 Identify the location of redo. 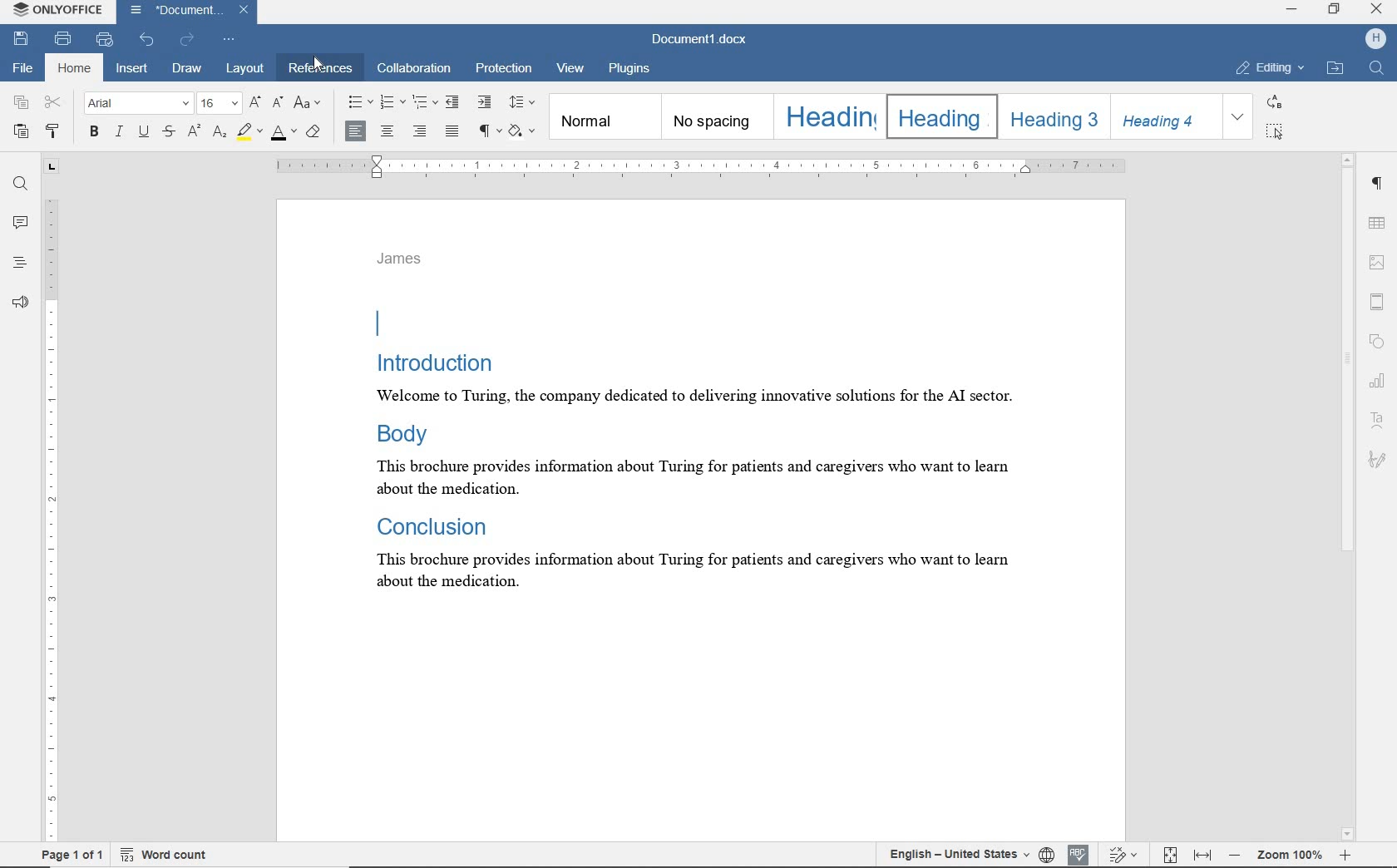
(189, 40).